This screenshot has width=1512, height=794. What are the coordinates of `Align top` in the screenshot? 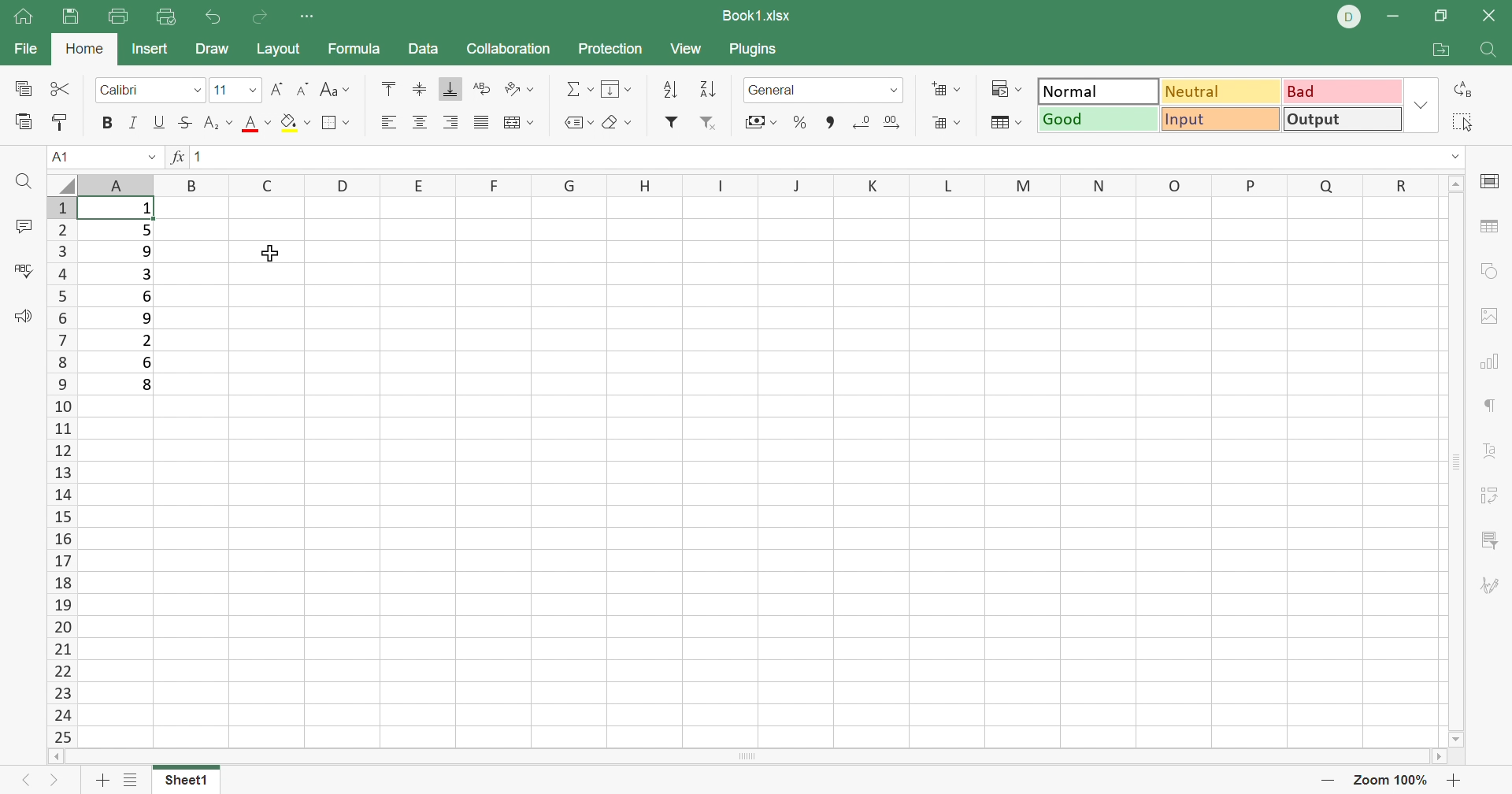 It's located at (387, 87).